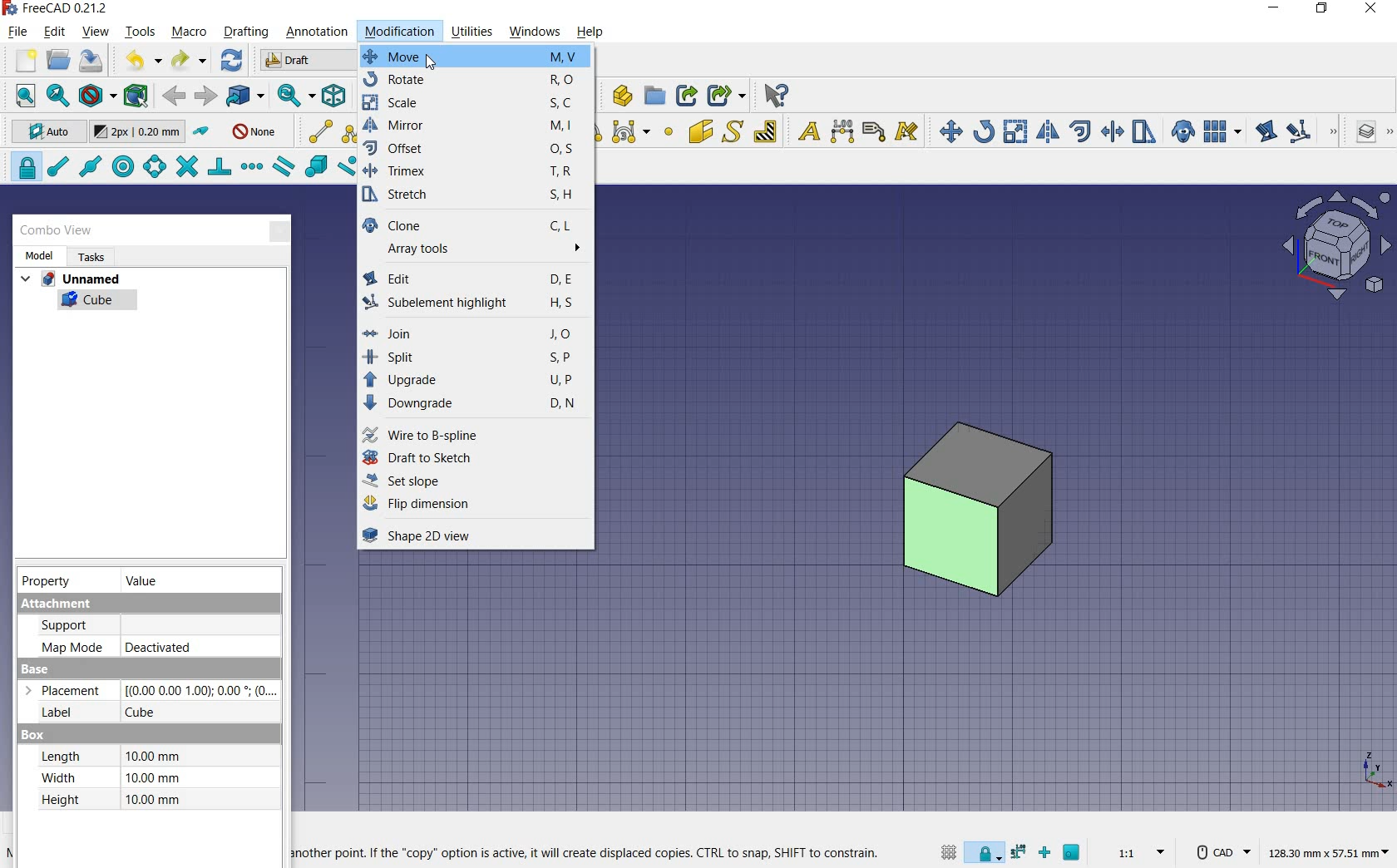  What do you see at coordinates (473, 460) in the screenshot?
I see `draft to sketch` at bounding box center [473, 460].